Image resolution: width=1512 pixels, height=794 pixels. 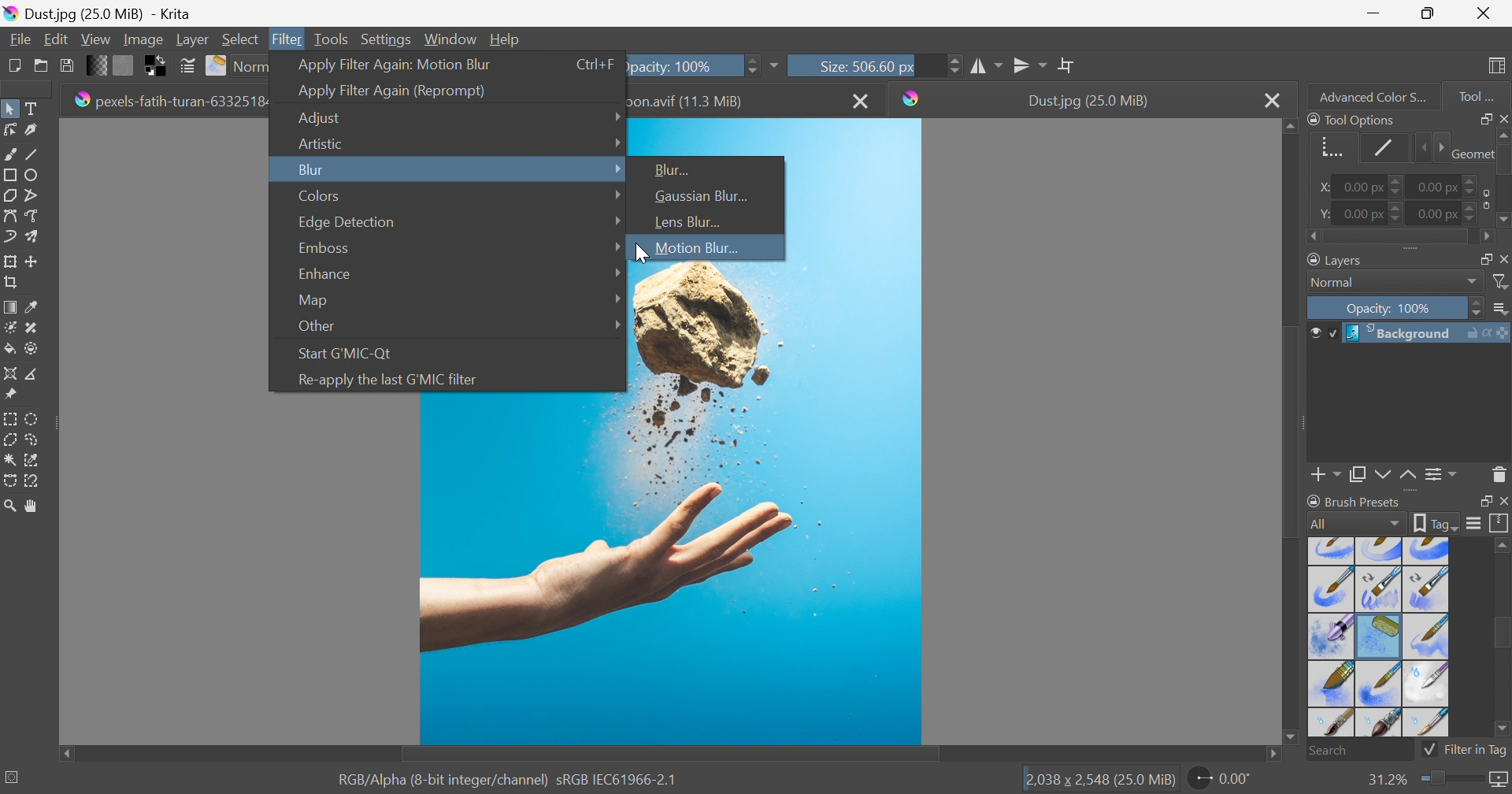 I want to click on Patch tool, so click(x=29, y=328).